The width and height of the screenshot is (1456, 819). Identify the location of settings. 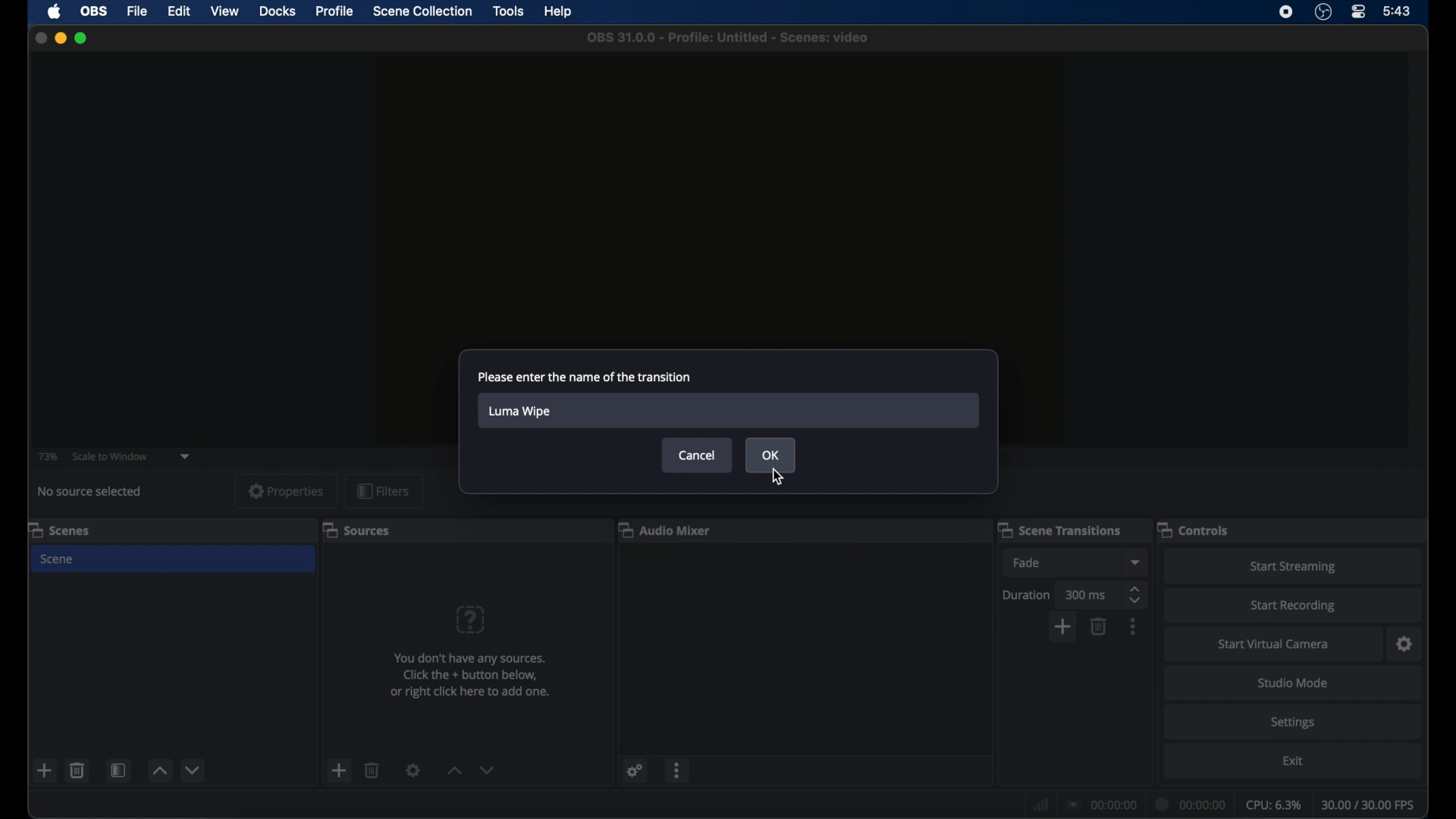
(1292, 723).